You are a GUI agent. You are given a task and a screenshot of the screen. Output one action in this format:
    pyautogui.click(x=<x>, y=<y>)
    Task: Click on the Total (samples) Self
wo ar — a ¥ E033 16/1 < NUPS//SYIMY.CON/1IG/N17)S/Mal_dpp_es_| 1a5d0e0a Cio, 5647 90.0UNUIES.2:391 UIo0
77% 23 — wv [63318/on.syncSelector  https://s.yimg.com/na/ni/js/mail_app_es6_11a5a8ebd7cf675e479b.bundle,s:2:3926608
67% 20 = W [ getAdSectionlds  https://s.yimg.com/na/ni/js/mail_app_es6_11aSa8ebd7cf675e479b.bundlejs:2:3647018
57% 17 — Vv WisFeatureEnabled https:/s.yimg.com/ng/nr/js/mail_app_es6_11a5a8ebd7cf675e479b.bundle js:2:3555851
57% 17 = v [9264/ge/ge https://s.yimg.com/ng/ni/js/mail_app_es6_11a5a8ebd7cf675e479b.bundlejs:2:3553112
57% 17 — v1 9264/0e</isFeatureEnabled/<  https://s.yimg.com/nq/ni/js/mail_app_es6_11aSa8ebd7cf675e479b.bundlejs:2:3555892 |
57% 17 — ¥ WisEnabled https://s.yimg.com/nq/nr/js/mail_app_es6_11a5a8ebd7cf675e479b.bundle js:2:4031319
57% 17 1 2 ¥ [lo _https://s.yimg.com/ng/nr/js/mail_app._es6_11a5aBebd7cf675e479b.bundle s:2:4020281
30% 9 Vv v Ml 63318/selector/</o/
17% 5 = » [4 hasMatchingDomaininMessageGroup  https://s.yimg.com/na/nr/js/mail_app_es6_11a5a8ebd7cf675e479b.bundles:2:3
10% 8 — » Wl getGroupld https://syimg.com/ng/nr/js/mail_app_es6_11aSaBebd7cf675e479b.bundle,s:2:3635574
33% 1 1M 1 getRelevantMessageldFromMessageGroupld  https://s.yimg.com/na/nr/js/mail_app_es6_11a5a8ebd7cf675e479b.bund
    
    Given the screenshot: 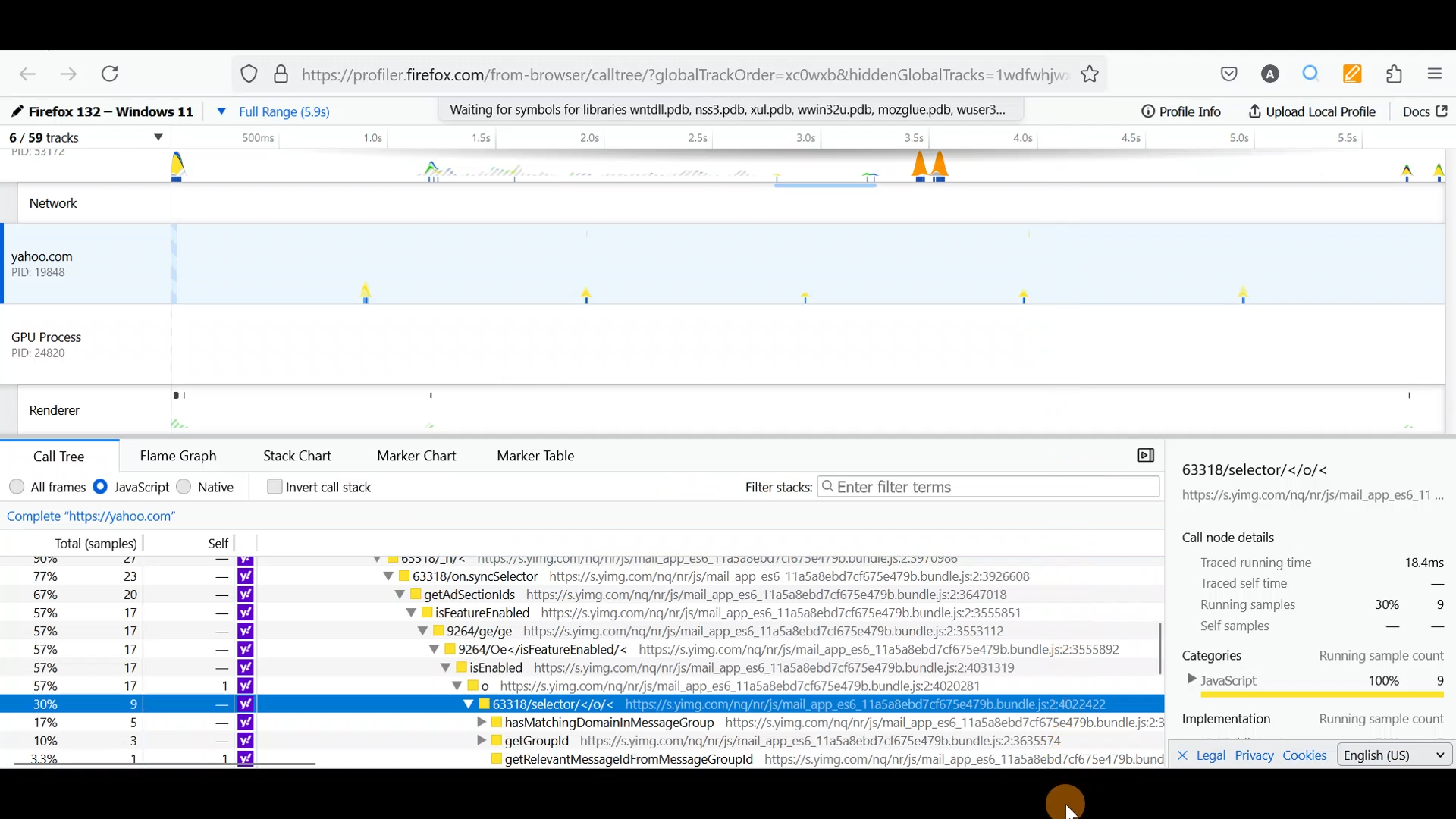 What is the action you would take?
    pyautogui.click(x=586, y=652)
    